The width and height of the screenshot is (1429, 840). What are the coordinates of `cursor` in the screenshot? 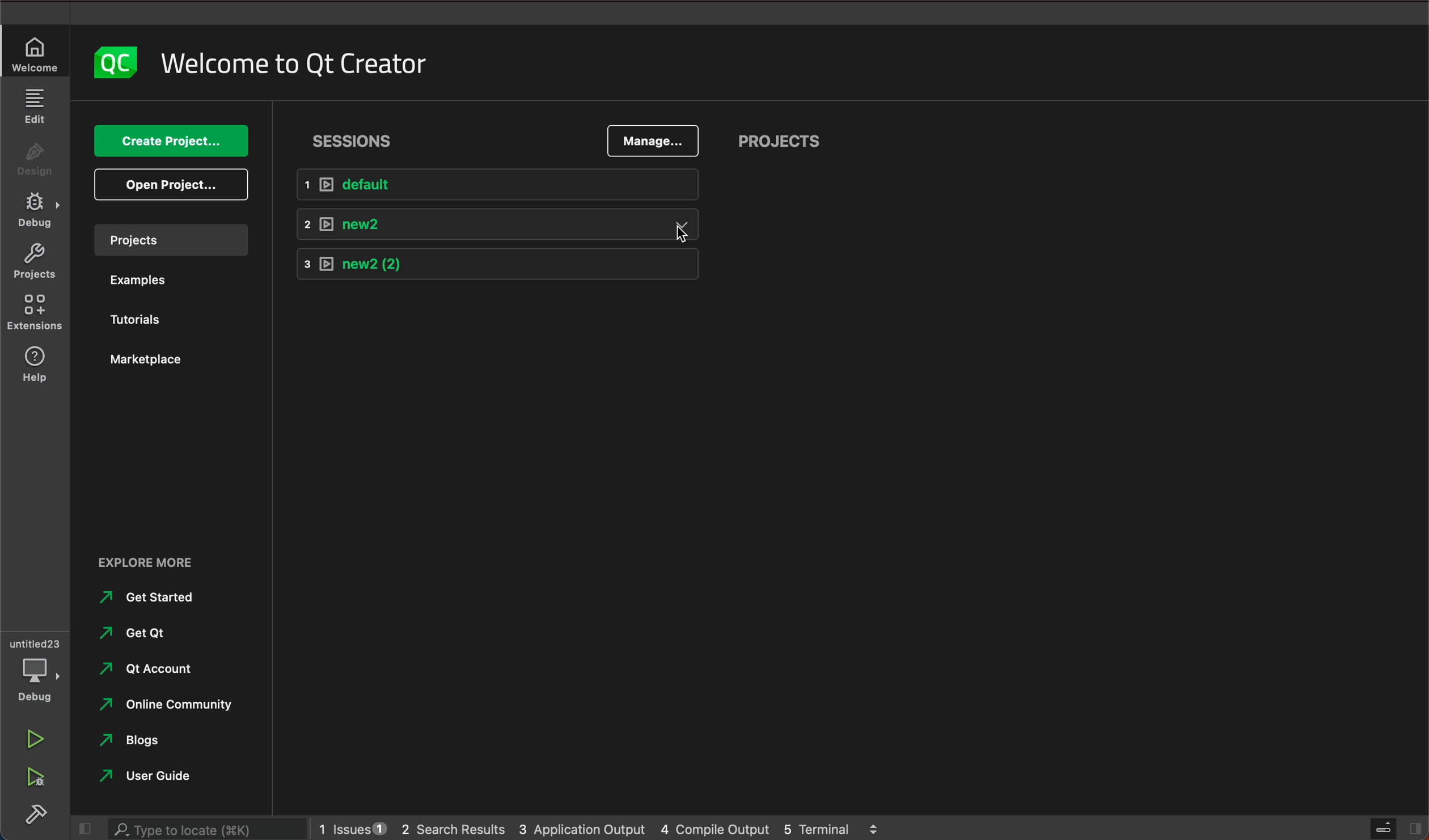 It's located at (685, 236).